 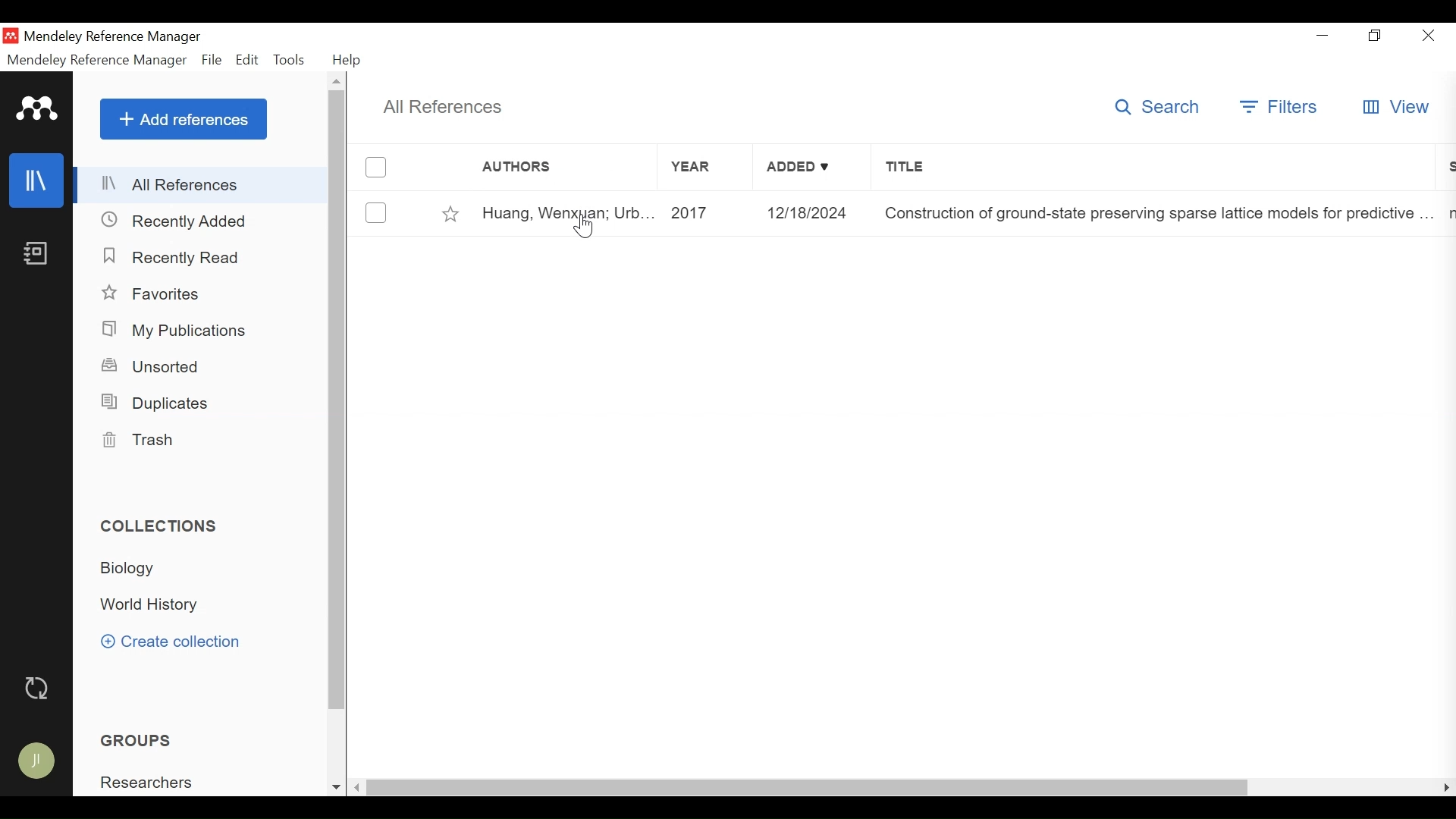 What do you see at coordinates (1447, 787) in the screenshot?
I see `Scroll Right` at bounding box center [1447, 787].